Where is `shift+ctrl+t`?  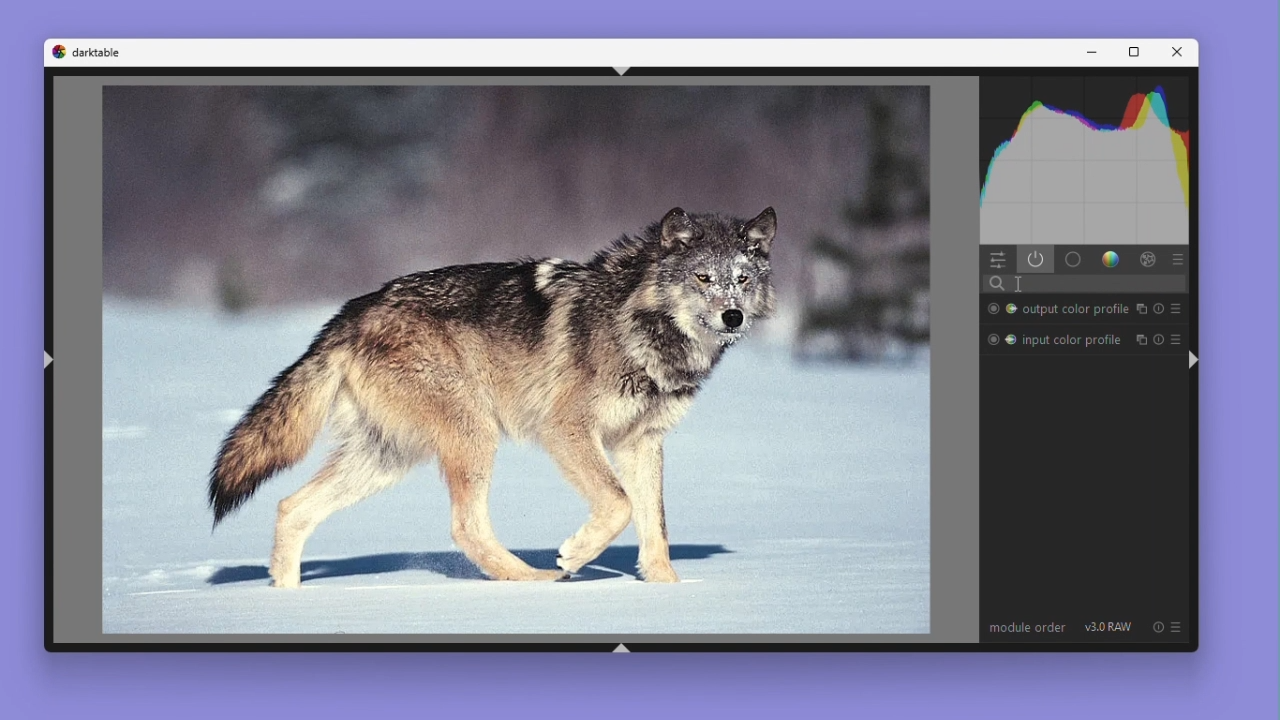
shift+ctrl+t is located at coordinates (619, 71).